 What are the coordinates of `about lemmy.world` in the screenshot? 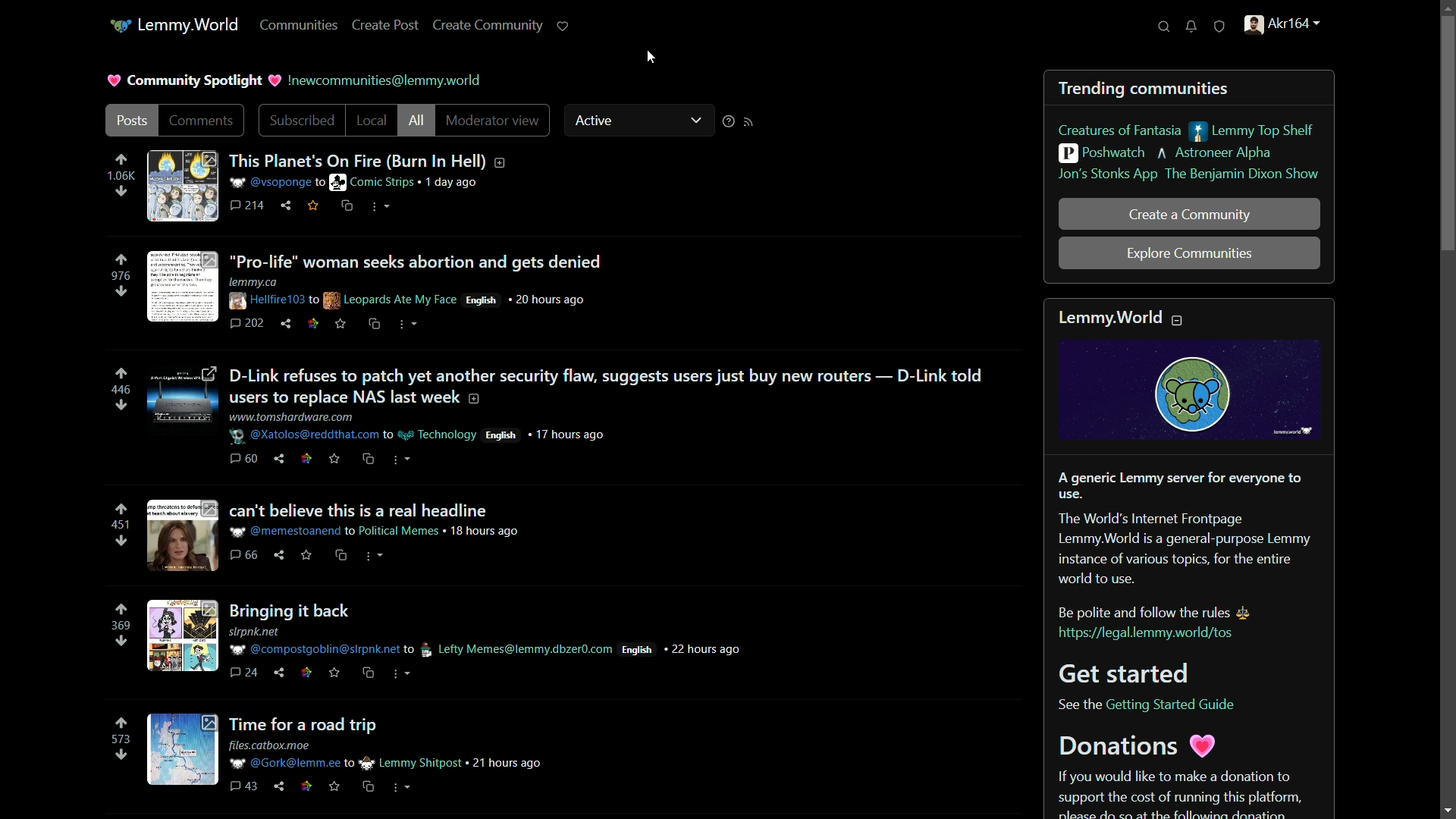 It's located at (1191, 559).